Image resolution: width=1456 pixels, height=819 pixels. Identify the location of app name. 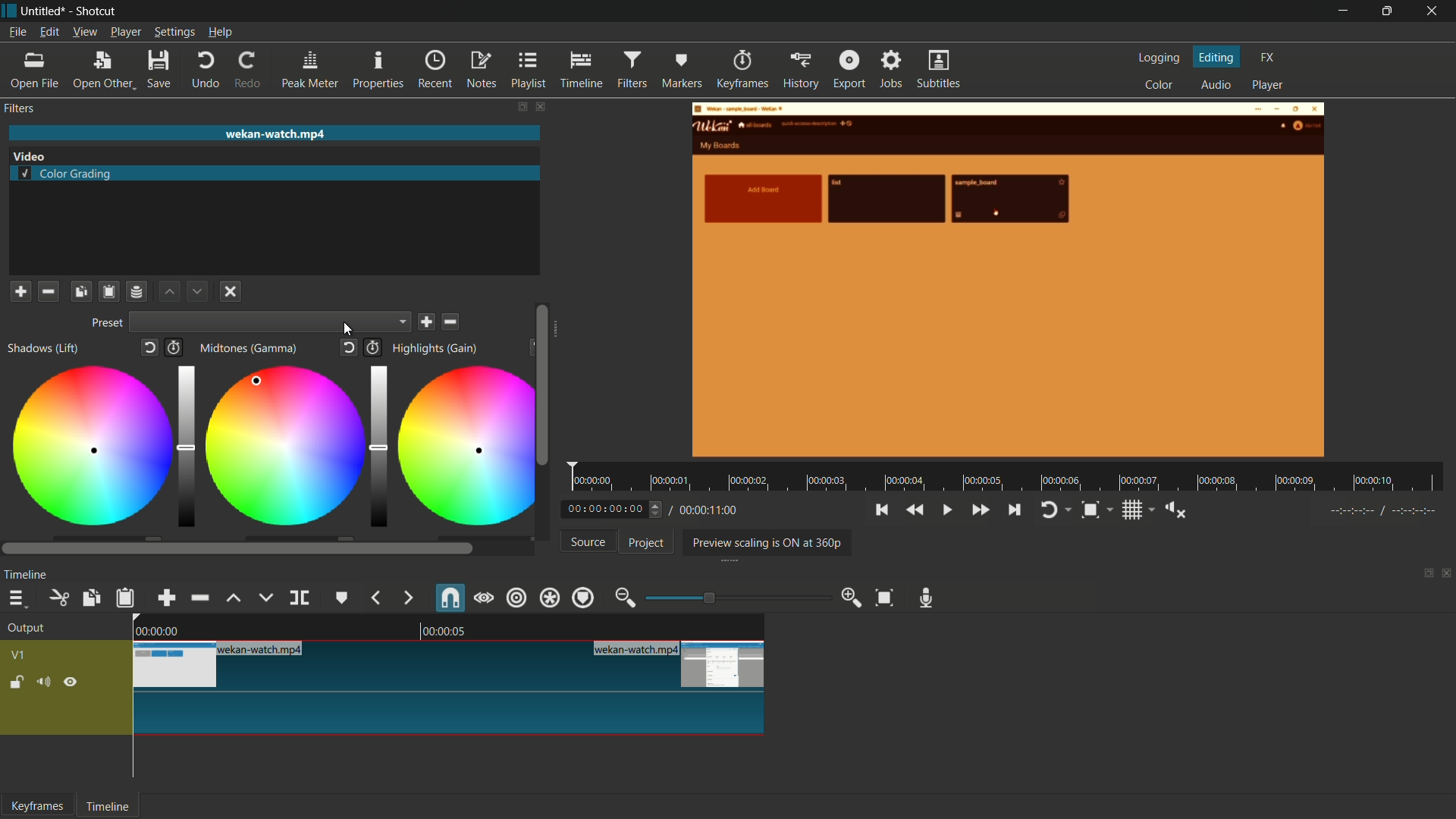
(98, 12).